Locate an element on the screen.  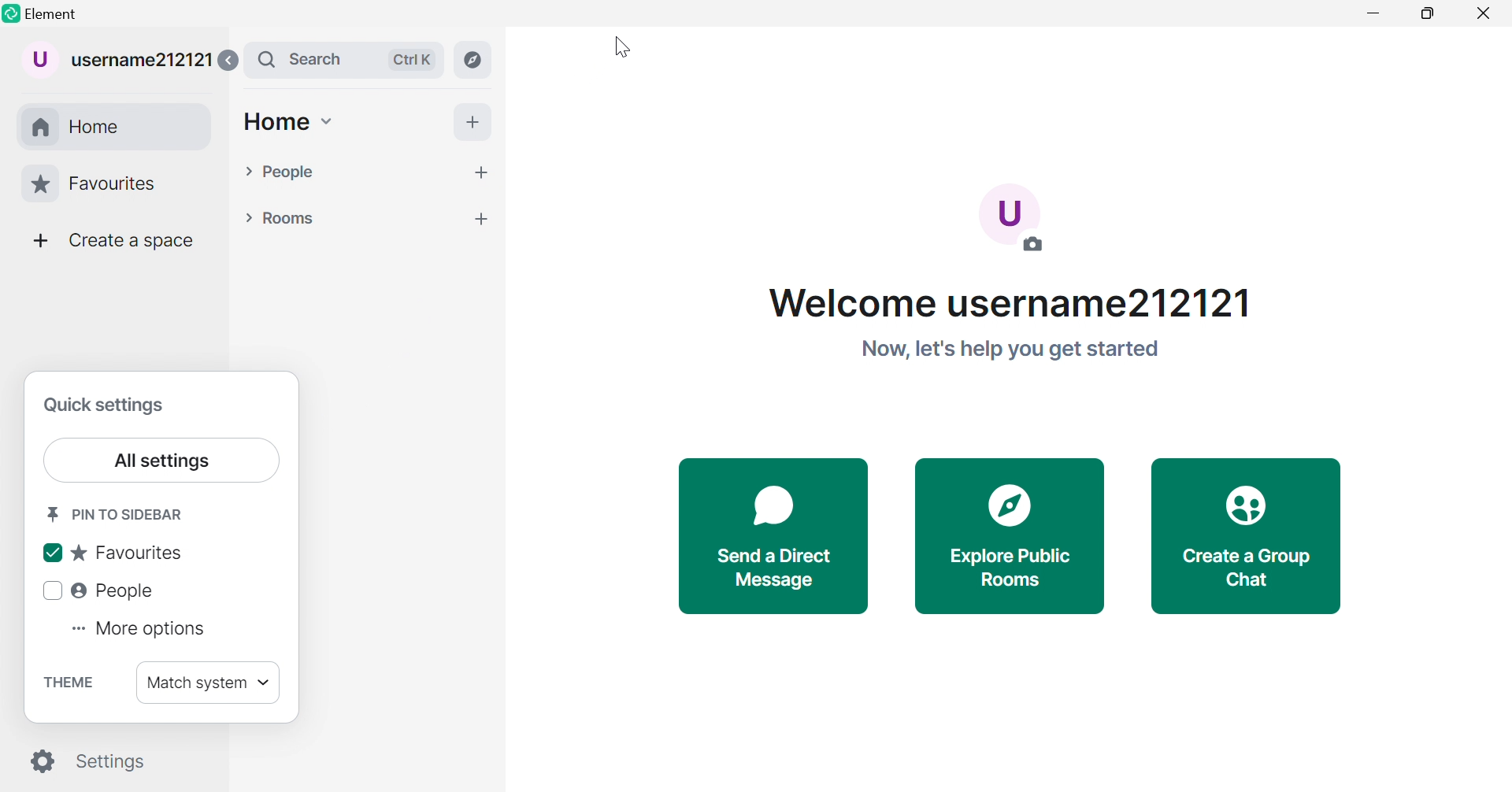
more is located at coordinates (480, 218).